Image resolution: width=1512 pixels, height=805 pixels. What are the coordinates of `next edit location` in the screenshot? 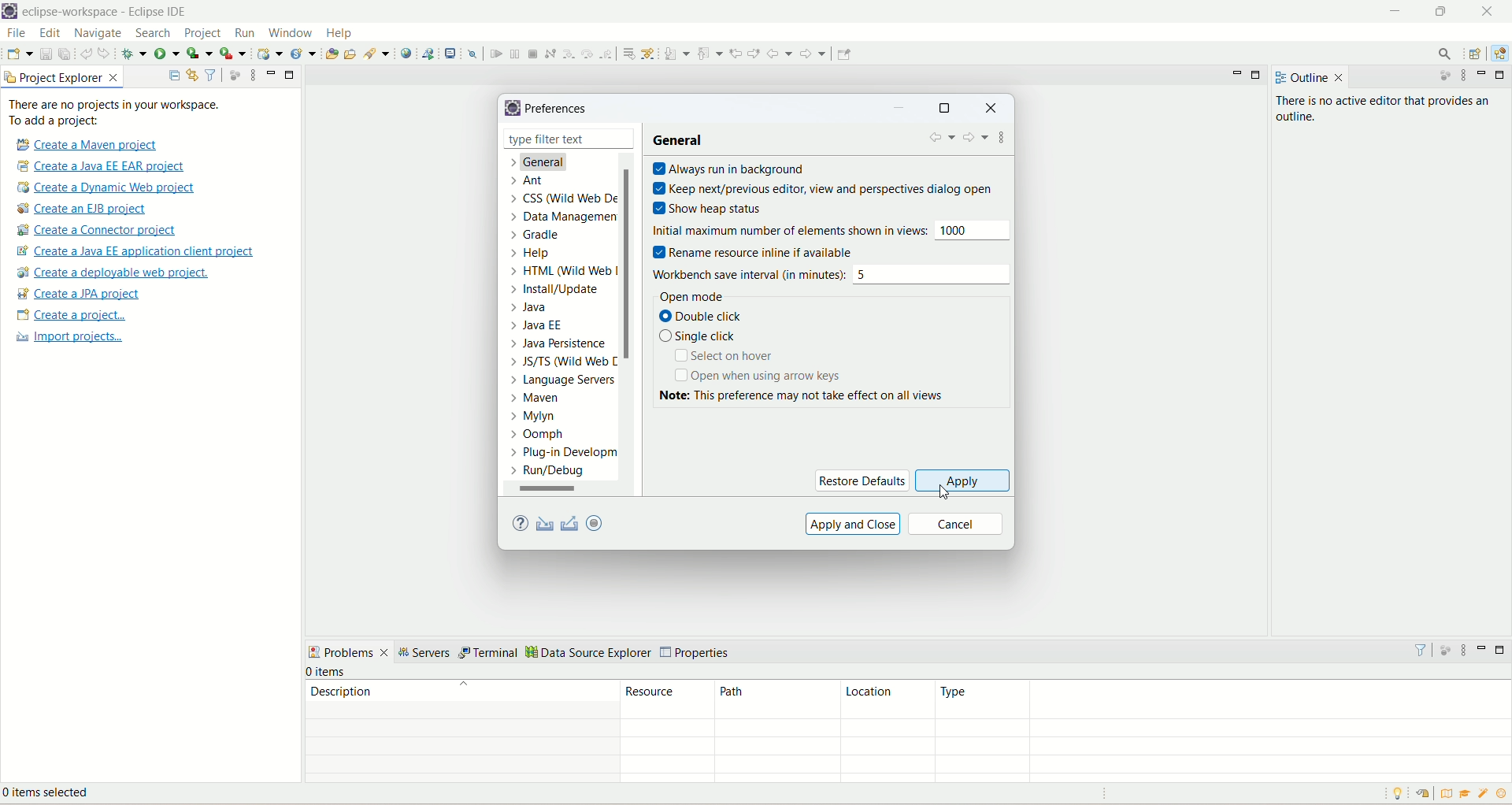 It's located at (754, 51).